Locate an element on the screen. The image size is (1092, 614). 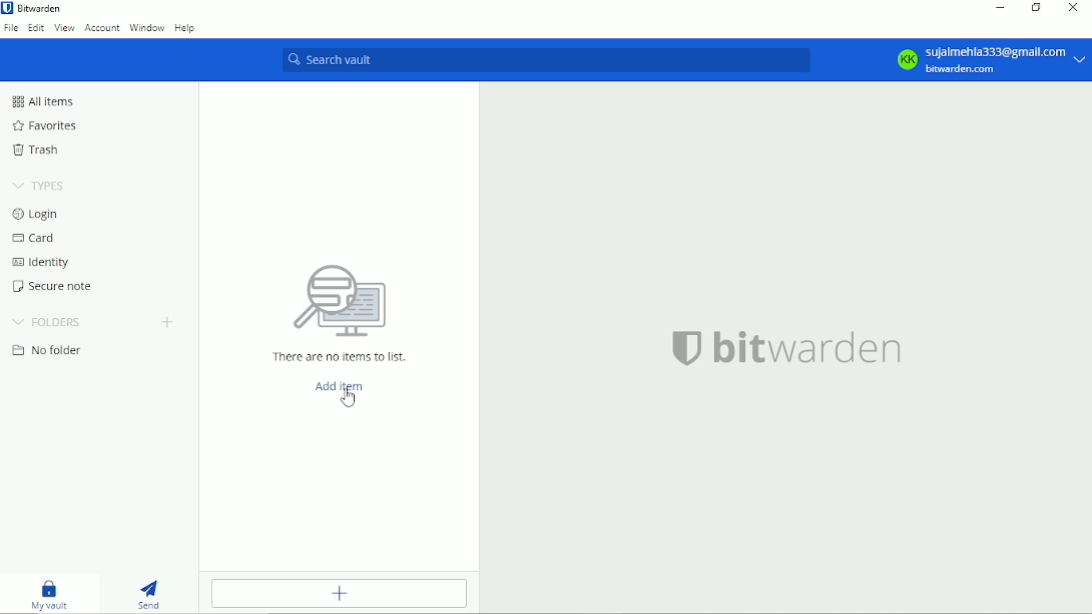
Bitwarden is located at coordinates (41, 8).